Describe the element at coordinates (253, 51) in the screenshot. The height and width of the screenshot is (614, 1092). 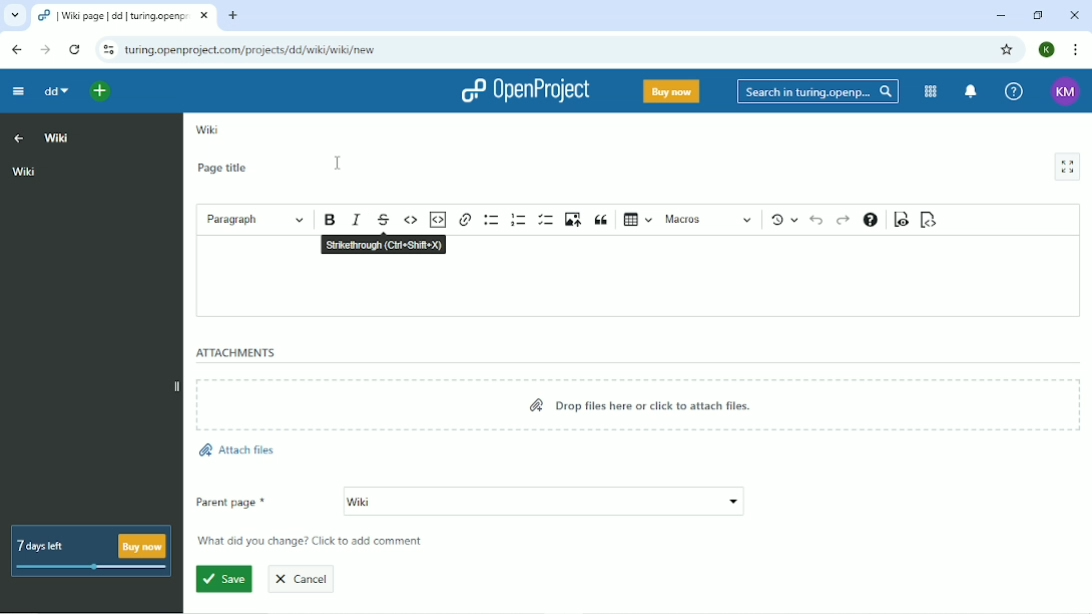
I see `Site` at that location.